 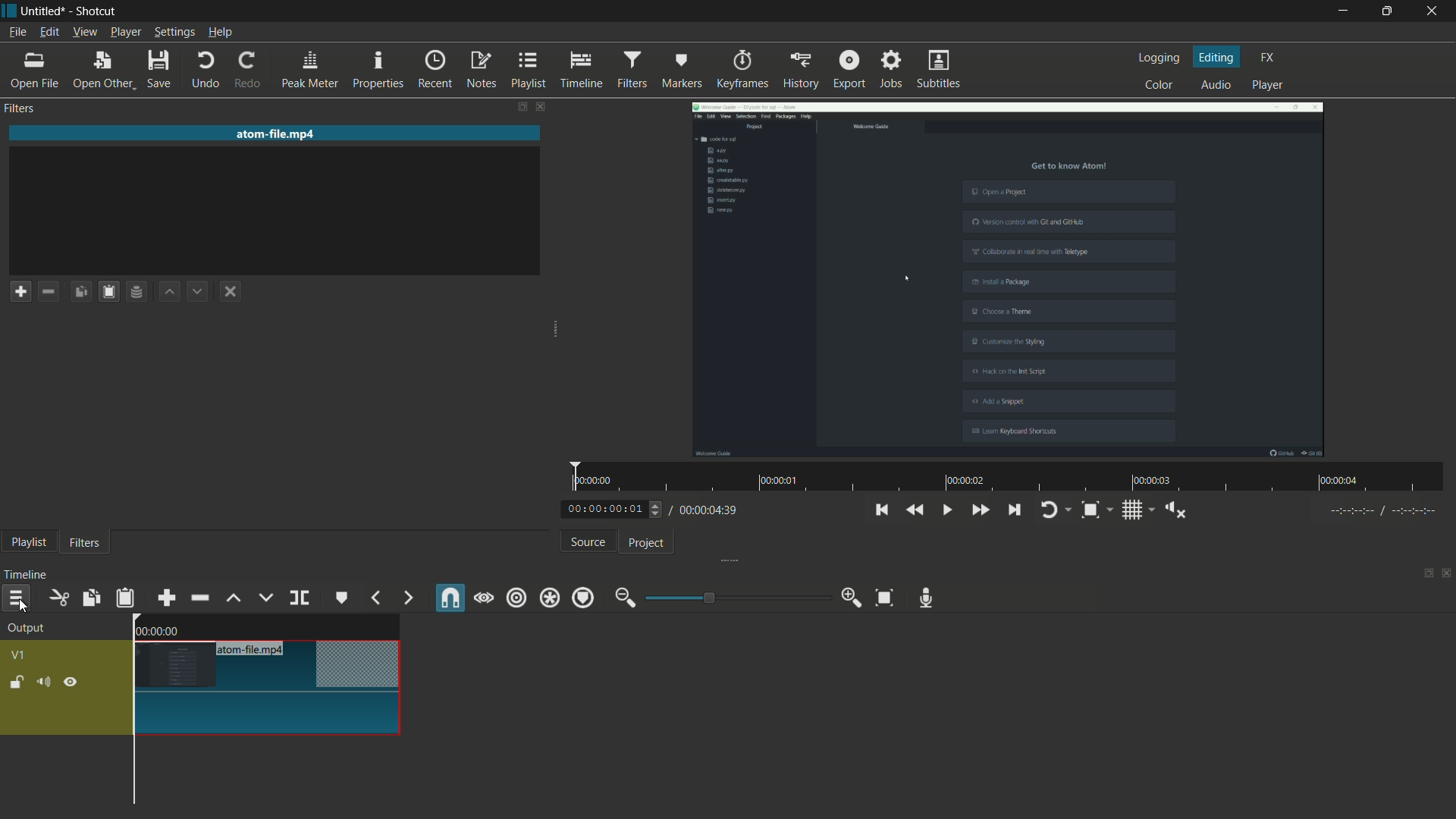 I want to click on notes, so click(x=482, y=71).